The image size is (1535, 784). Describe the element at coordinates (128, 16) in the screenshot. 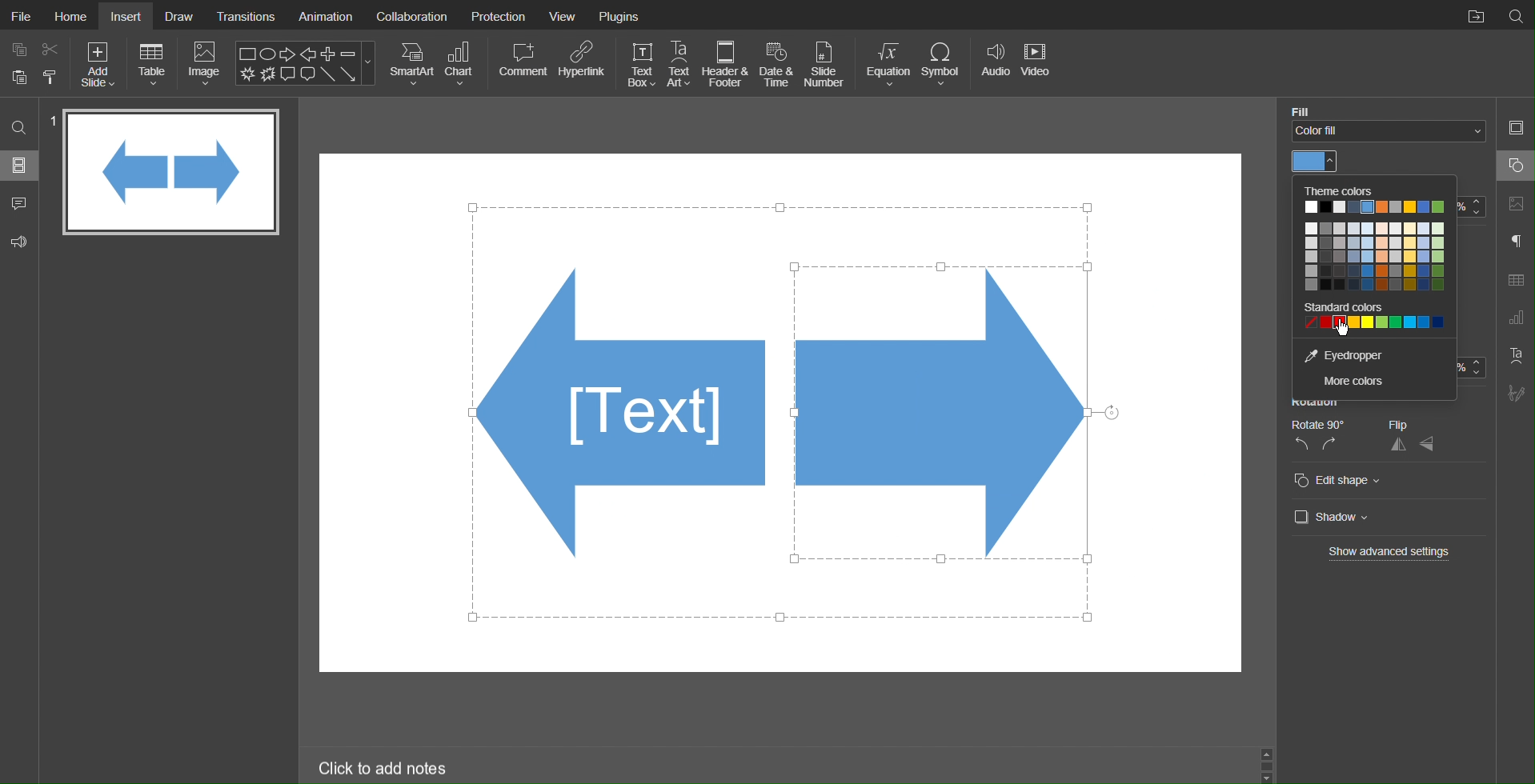

I see `Insert` at that location.